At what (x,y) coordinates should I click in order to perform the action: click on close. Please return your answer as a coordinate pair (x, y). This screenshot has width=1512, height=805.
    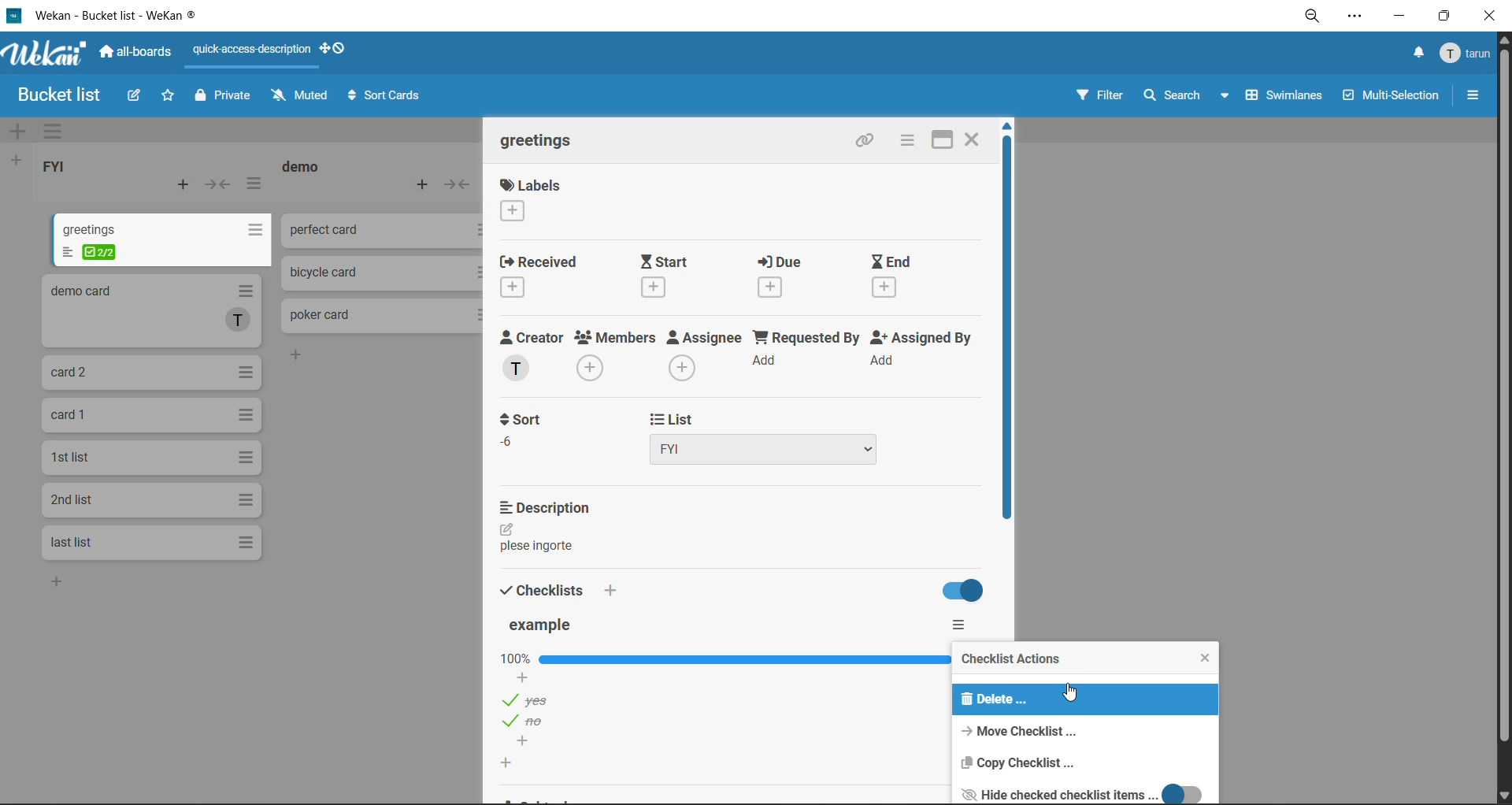
    Looking at the image, I should click on (1211, 658).